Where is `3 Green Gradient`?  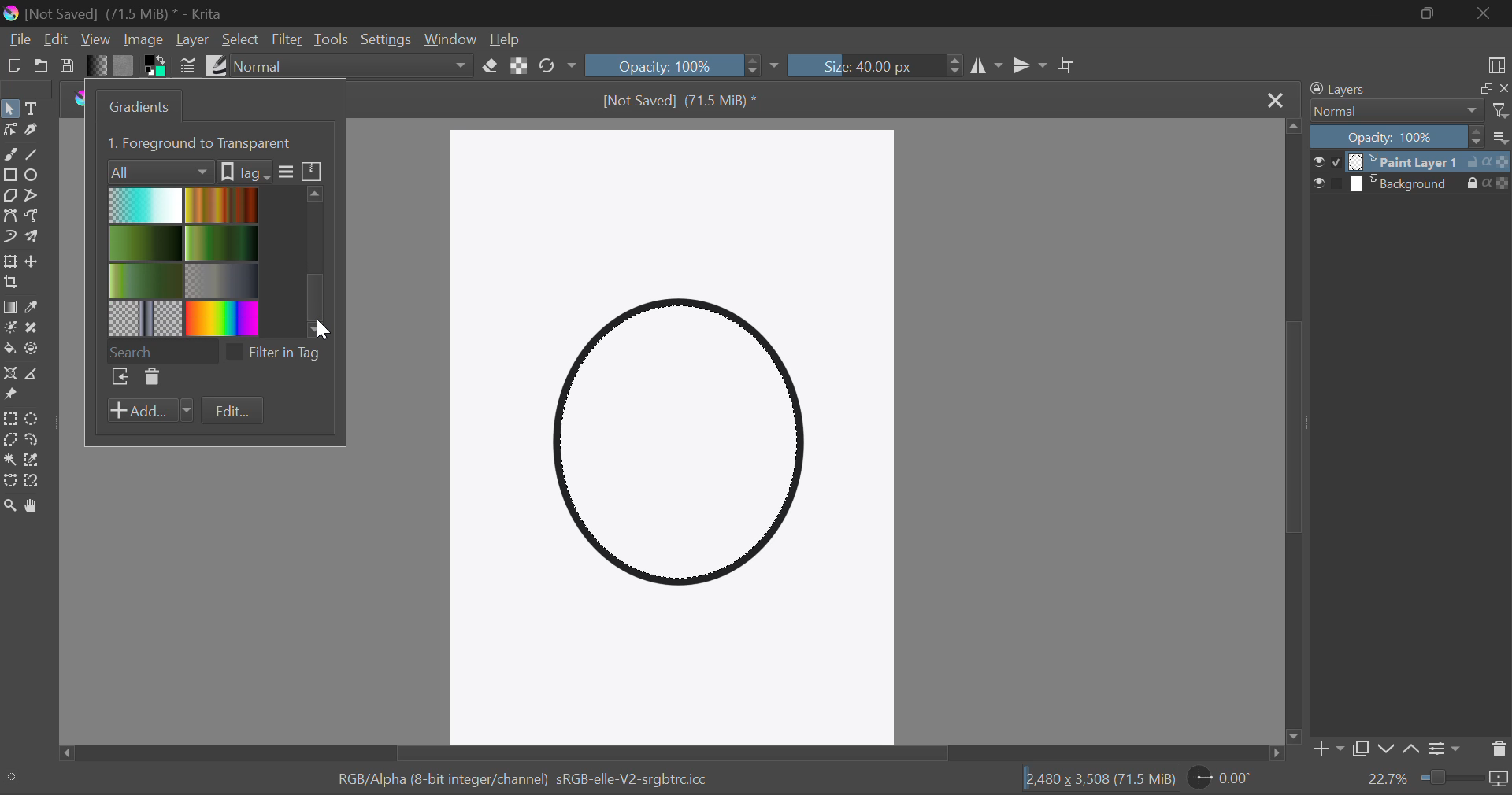
3 Green Gradient is located at coordinates (147, 281).